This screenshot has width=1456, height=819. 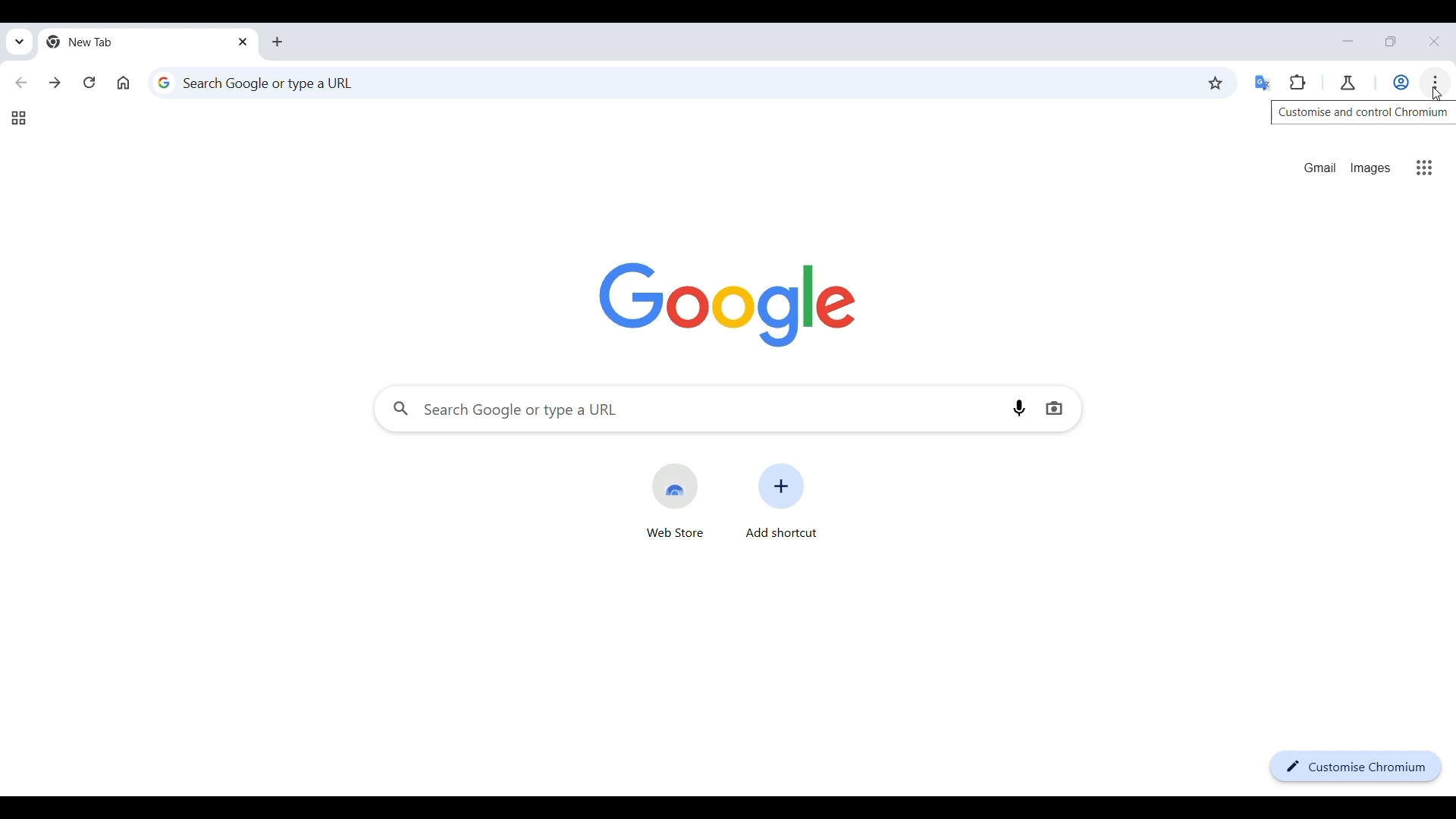 What do you see at coordinates (243, 41) in the screenshot?
I see `Close current tab` at bounding box center [243, 41].